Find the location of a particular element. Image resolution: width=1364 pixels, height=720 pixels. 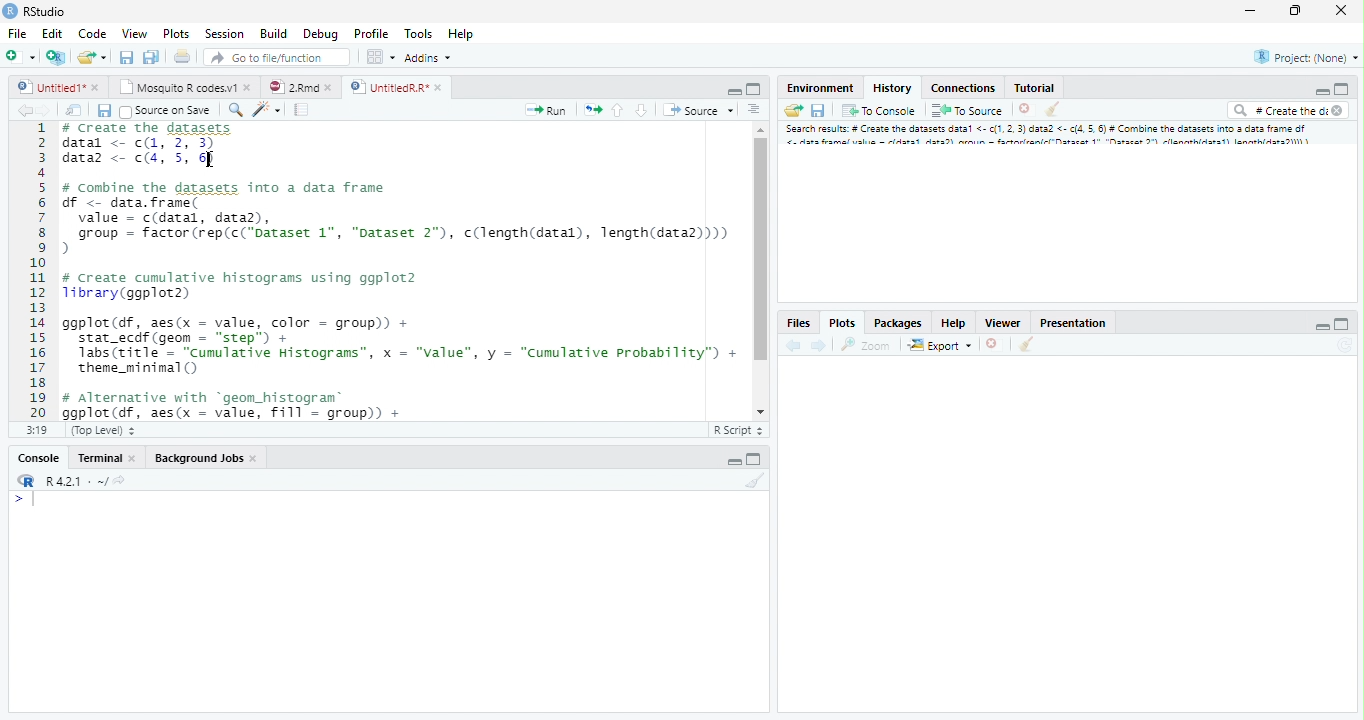

Source on Save is located at coordinates (165, 112).